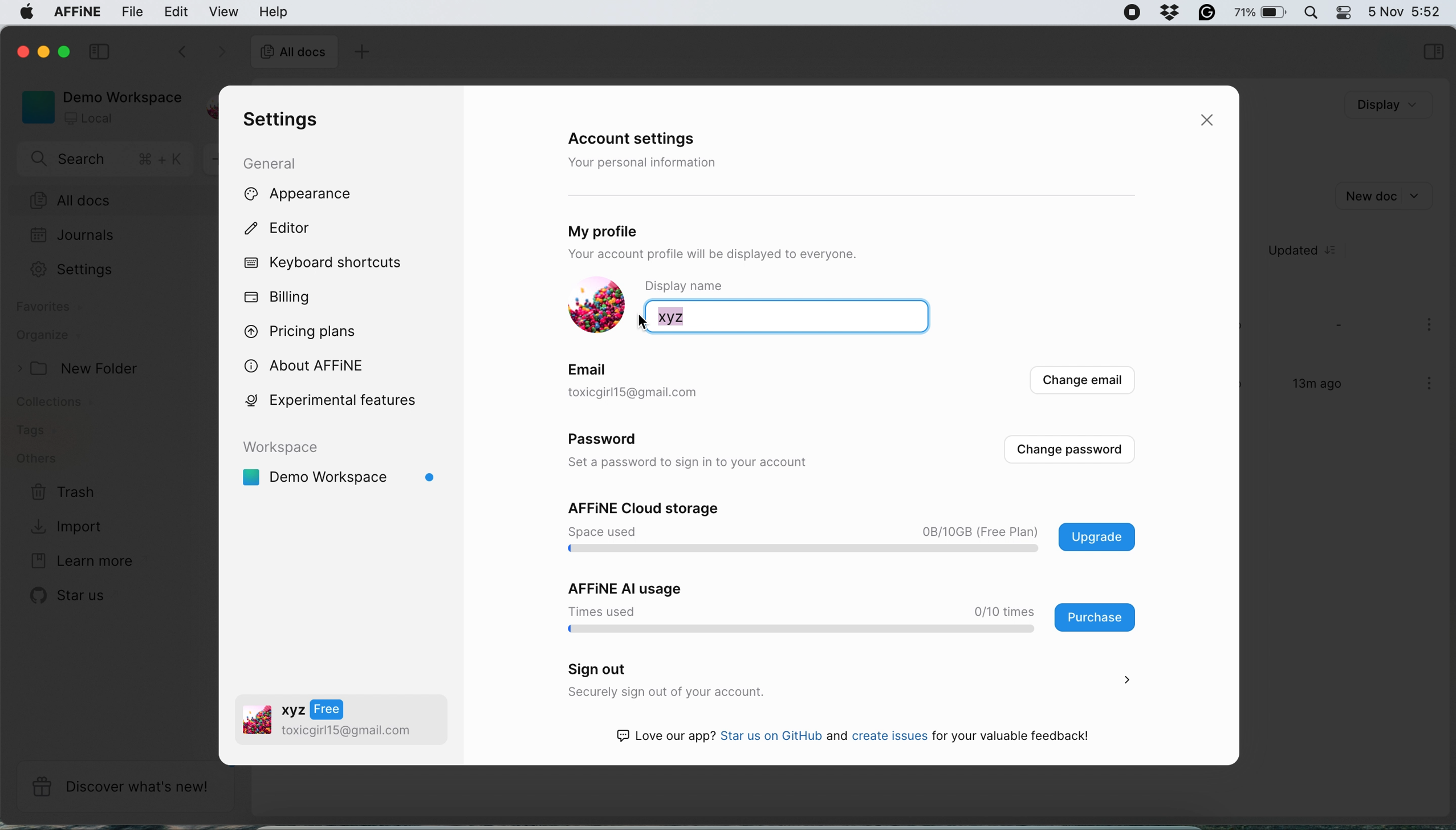 The height and width of the screenshot is (830, 1456). I want to click on change email, so click(1080, 383).